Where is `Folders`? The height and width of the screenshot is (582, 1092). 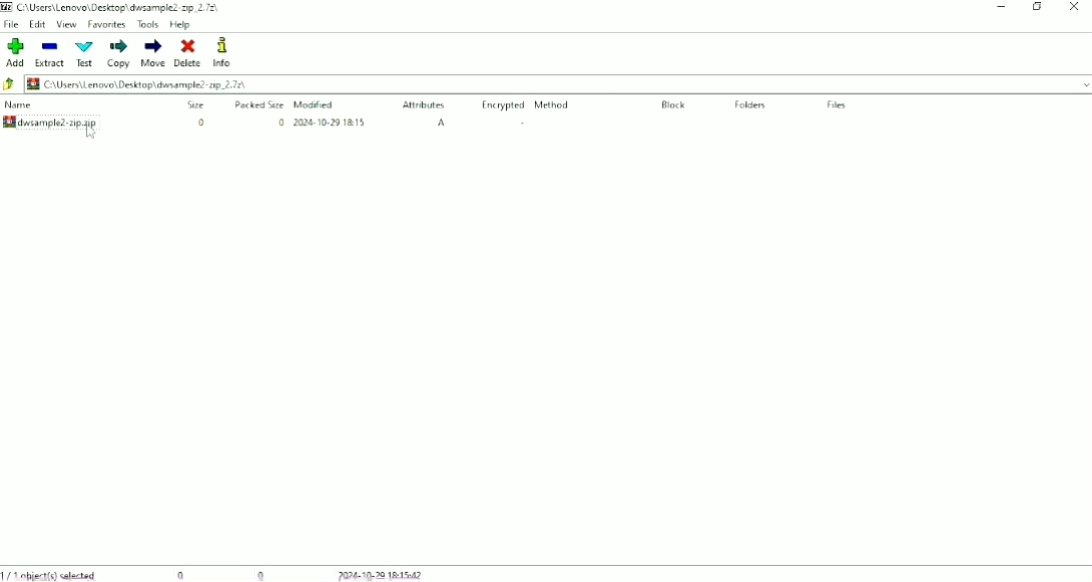
Folders is located at coordinates (753, 106).